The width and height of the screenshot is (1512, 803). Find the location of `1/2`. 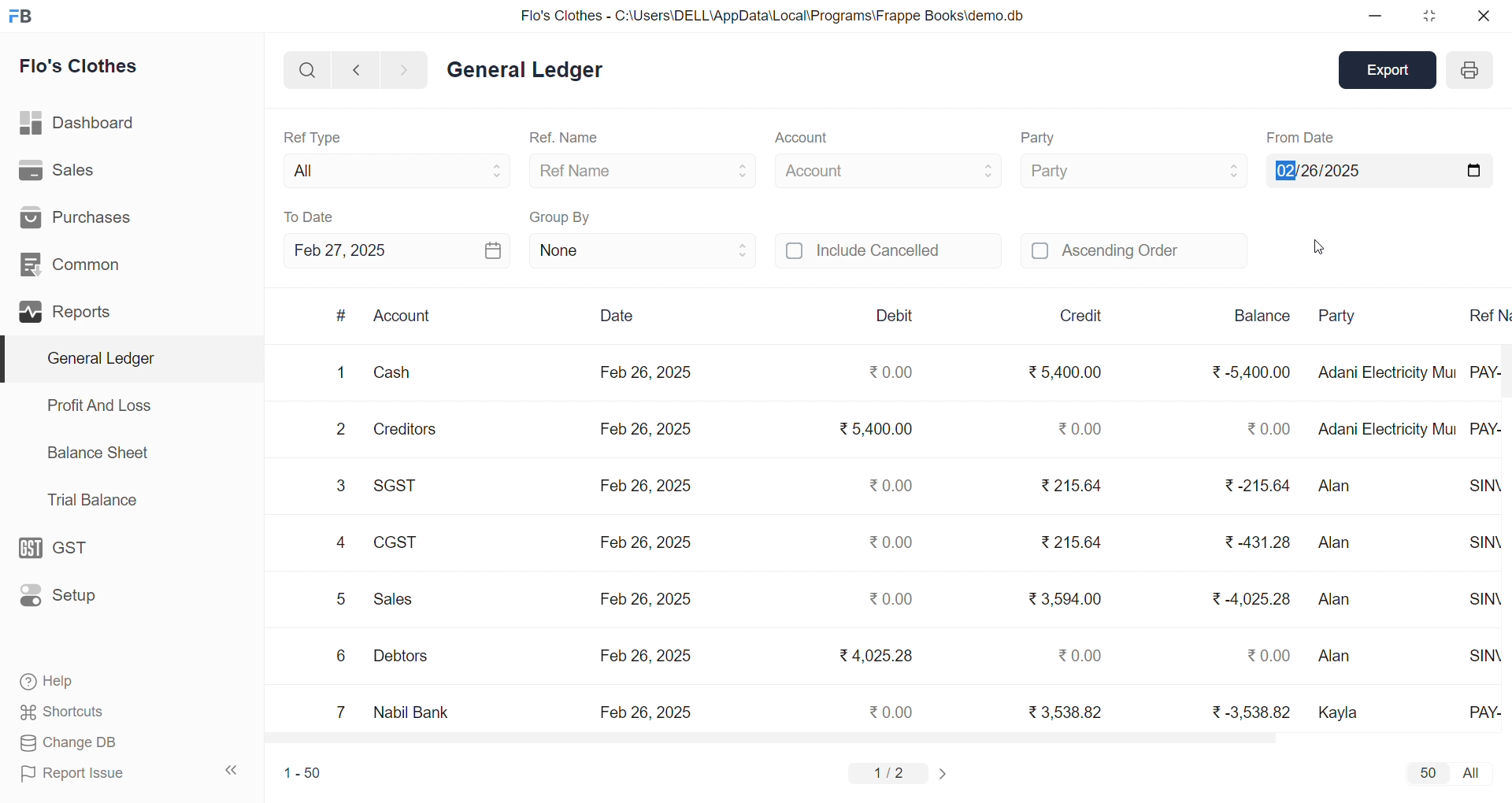

1/2 is located at coordinates (892, 772).